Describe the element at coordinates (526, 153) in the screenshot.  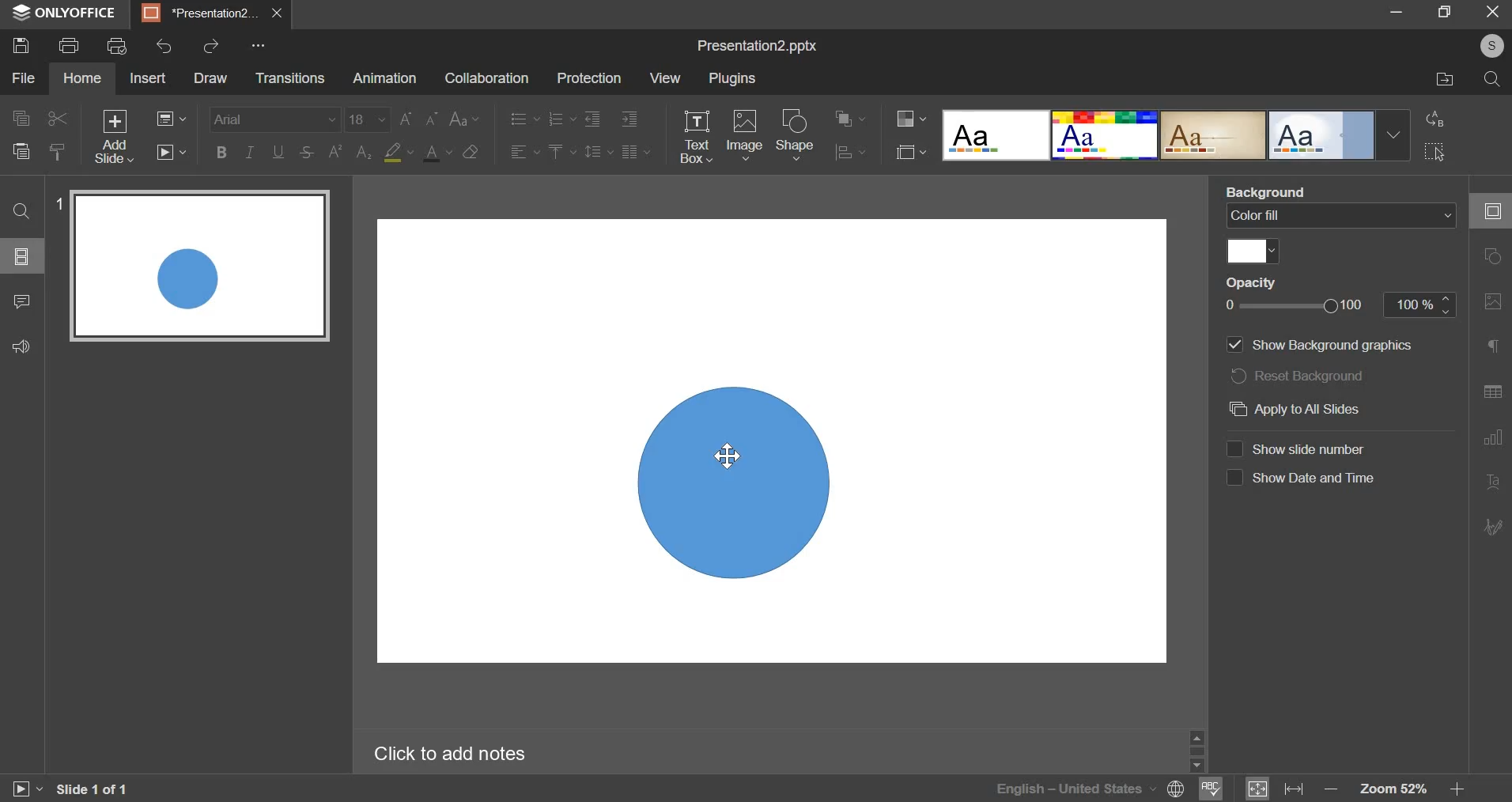
I see `horizontal alignment` at that location.